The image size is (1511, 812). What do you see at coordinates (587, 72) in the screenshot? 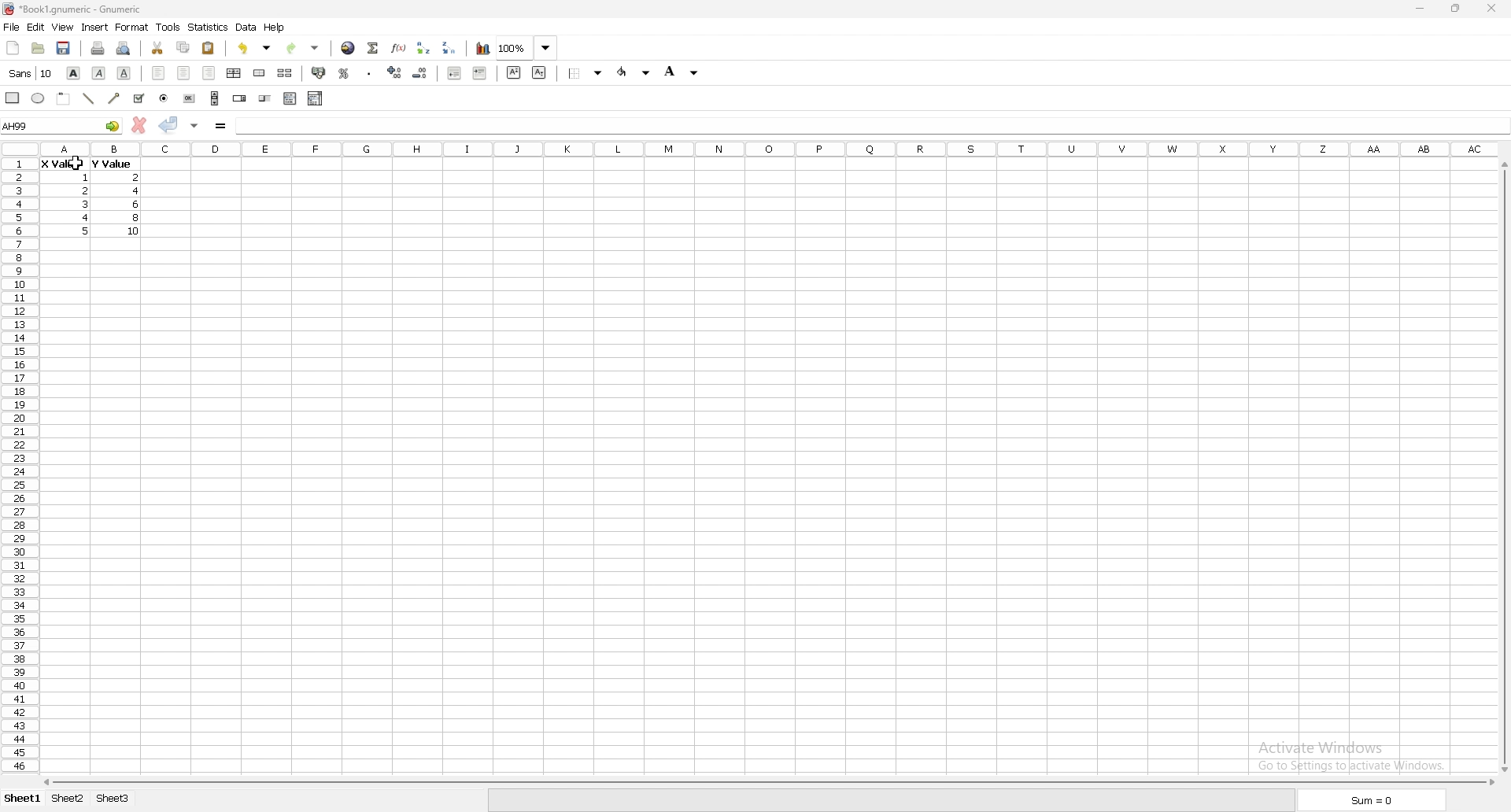
I see `border` at bounding box center [587, 72].